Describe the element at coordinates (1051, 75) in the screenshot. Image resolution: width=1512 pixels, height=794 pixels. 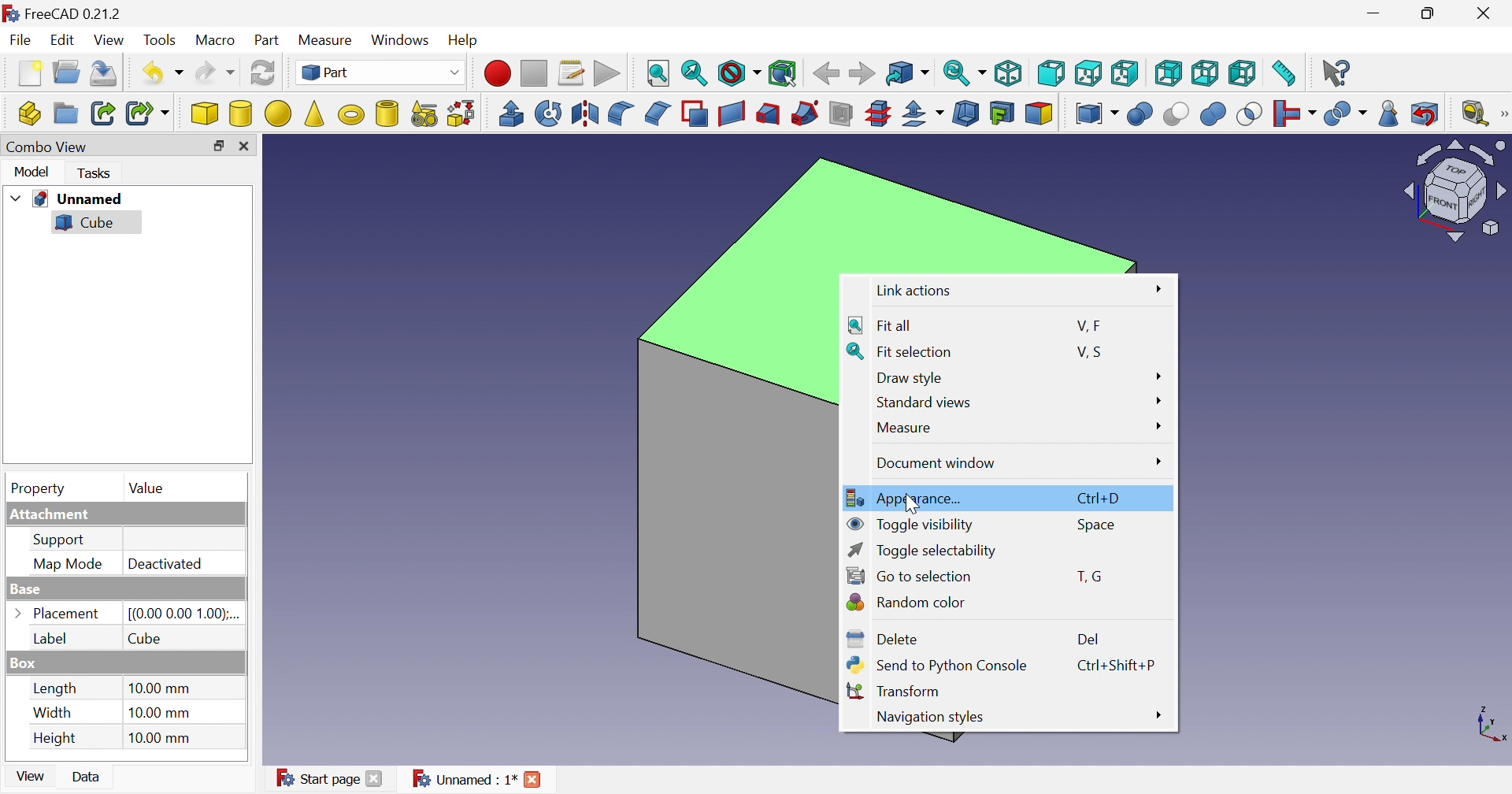
I see `Front` at that location.